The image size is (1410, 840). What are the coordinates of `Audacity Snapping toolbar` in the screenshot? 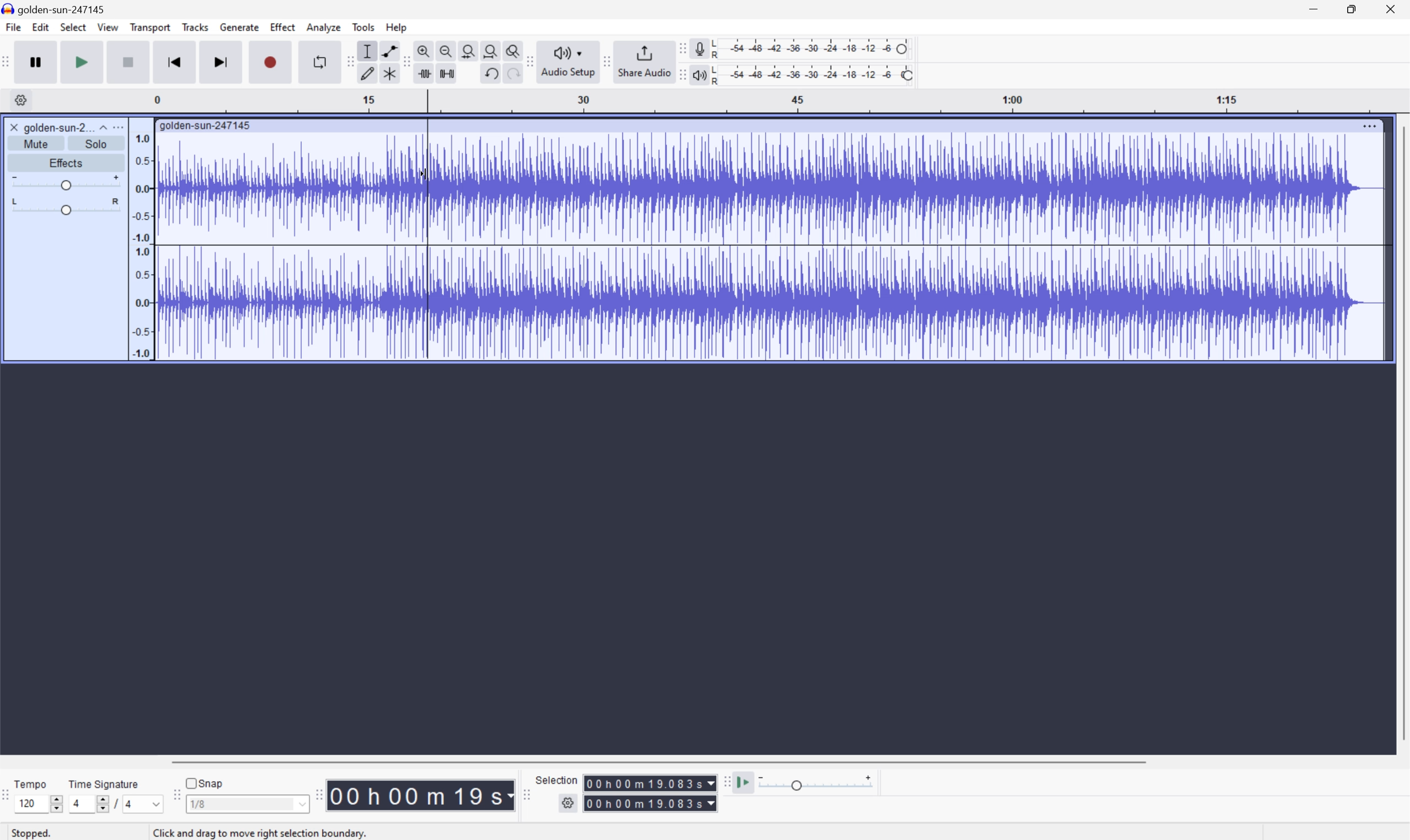 It's located at (174, 799).